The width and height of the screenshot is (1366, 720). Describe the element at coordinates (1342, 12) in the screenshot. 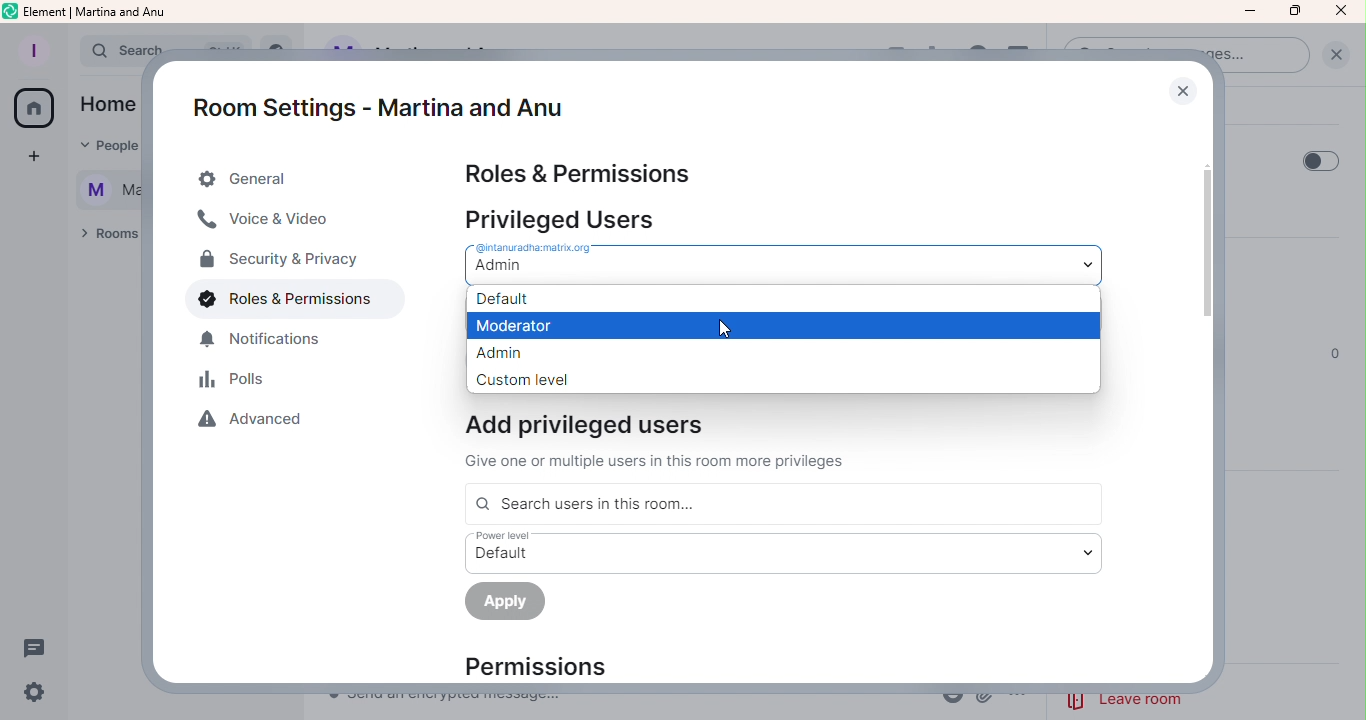

I see `Close Icon` at that location.